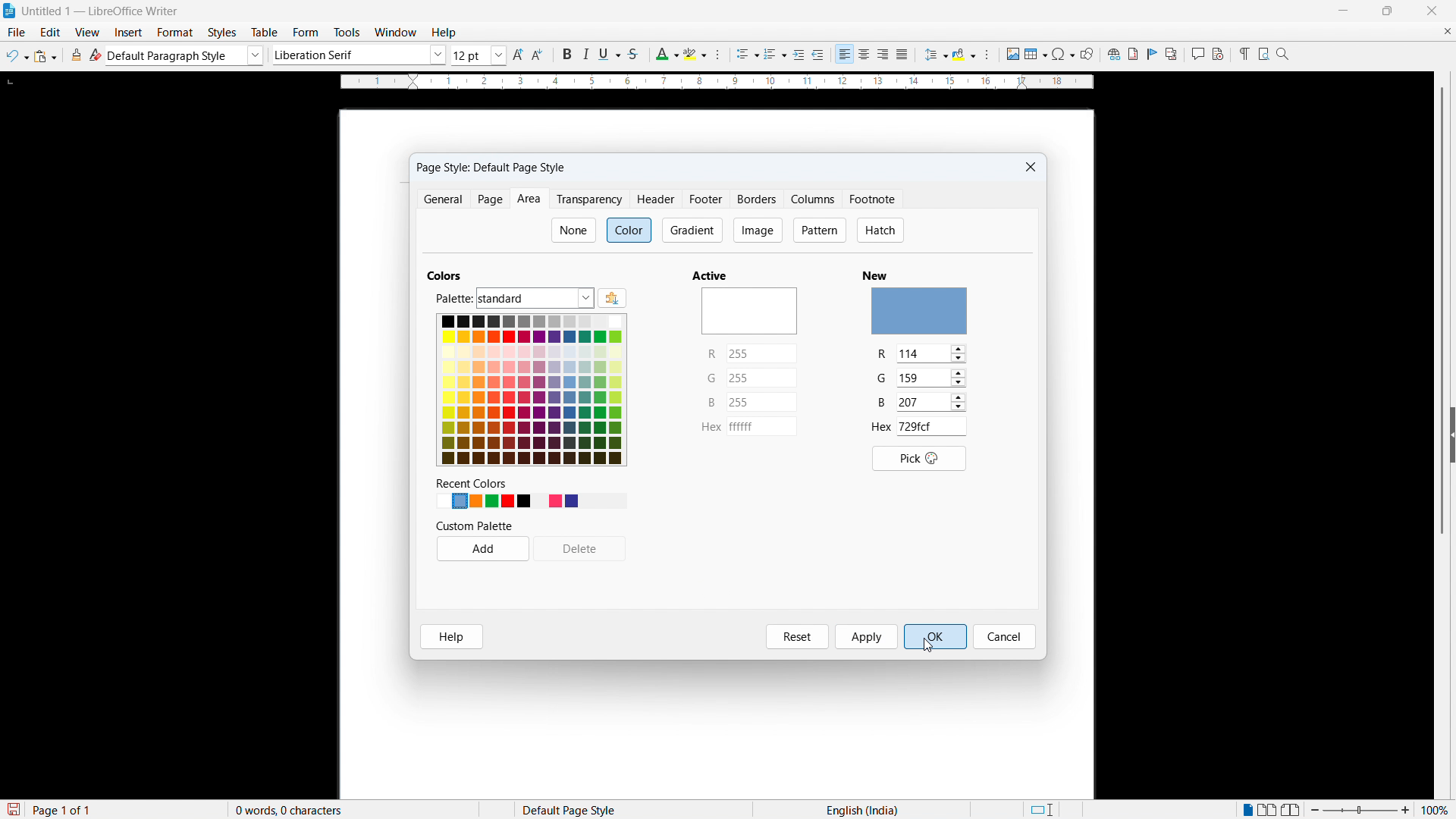  What do you see at coordinates (696, 54) in the screenshot?
I see `Character highlighting colour ` at bounding box center [696, 54].